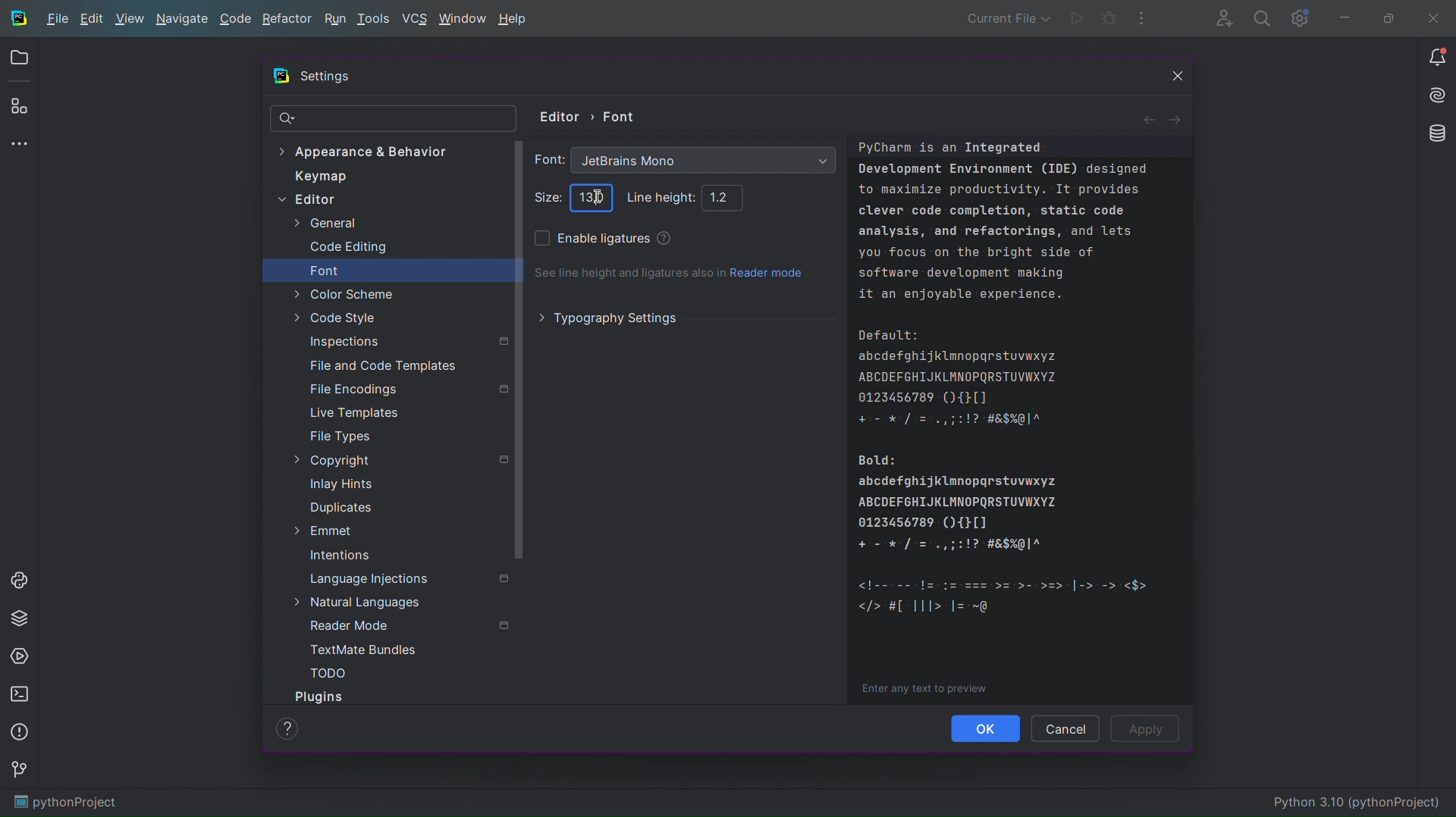 Image resolution: width=1456 pixels, height=817 pixels. I want to click on Natural Languages, so click(361, 602).